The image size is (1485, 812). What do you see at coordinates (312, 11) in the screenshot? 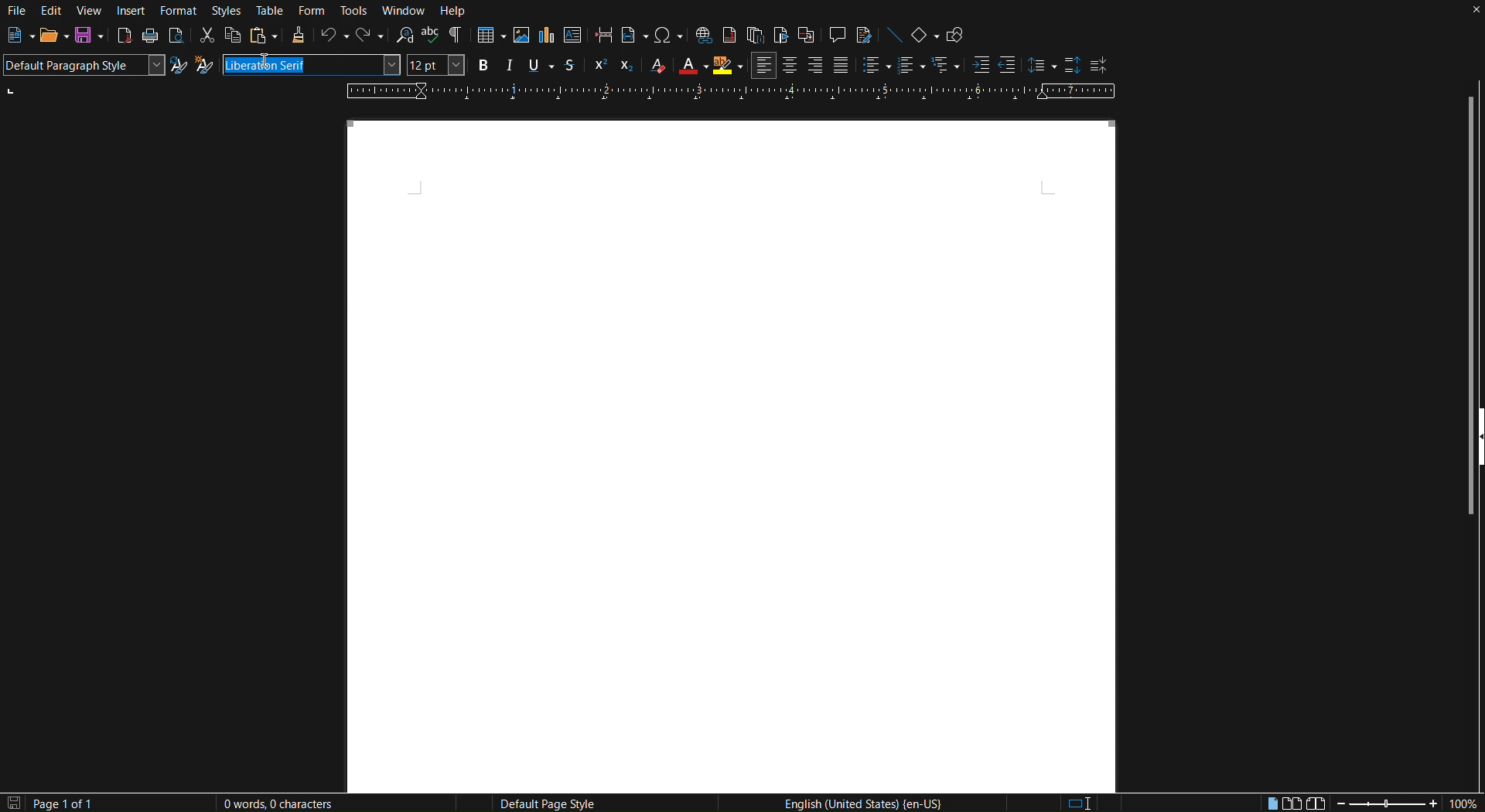
I see `Form ` at bounding box center [312, 11].